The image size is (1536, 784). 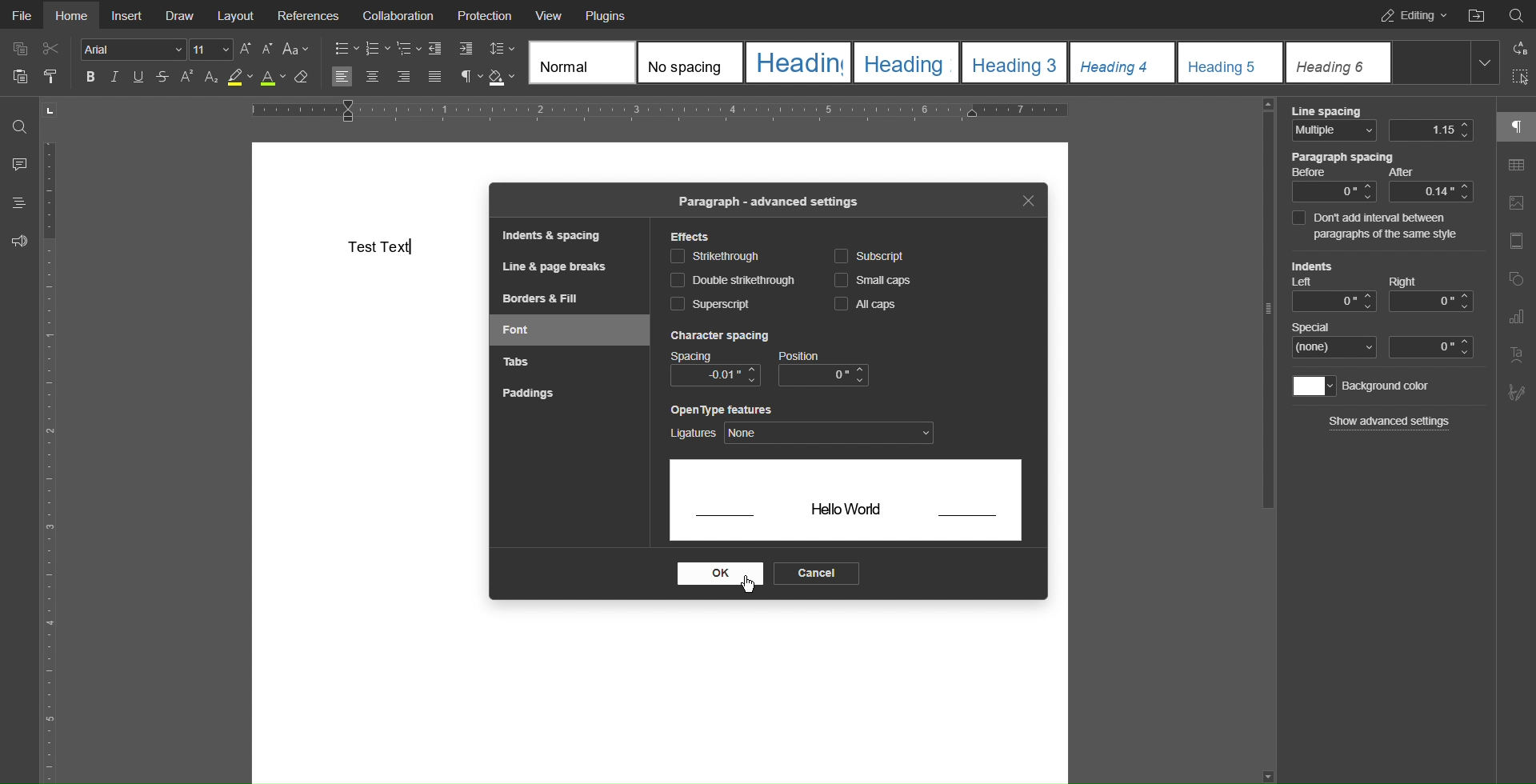 What do you see at coordinates (181, 14) in the screenshot?
I see `Draw` at bounding box center [181, 14].